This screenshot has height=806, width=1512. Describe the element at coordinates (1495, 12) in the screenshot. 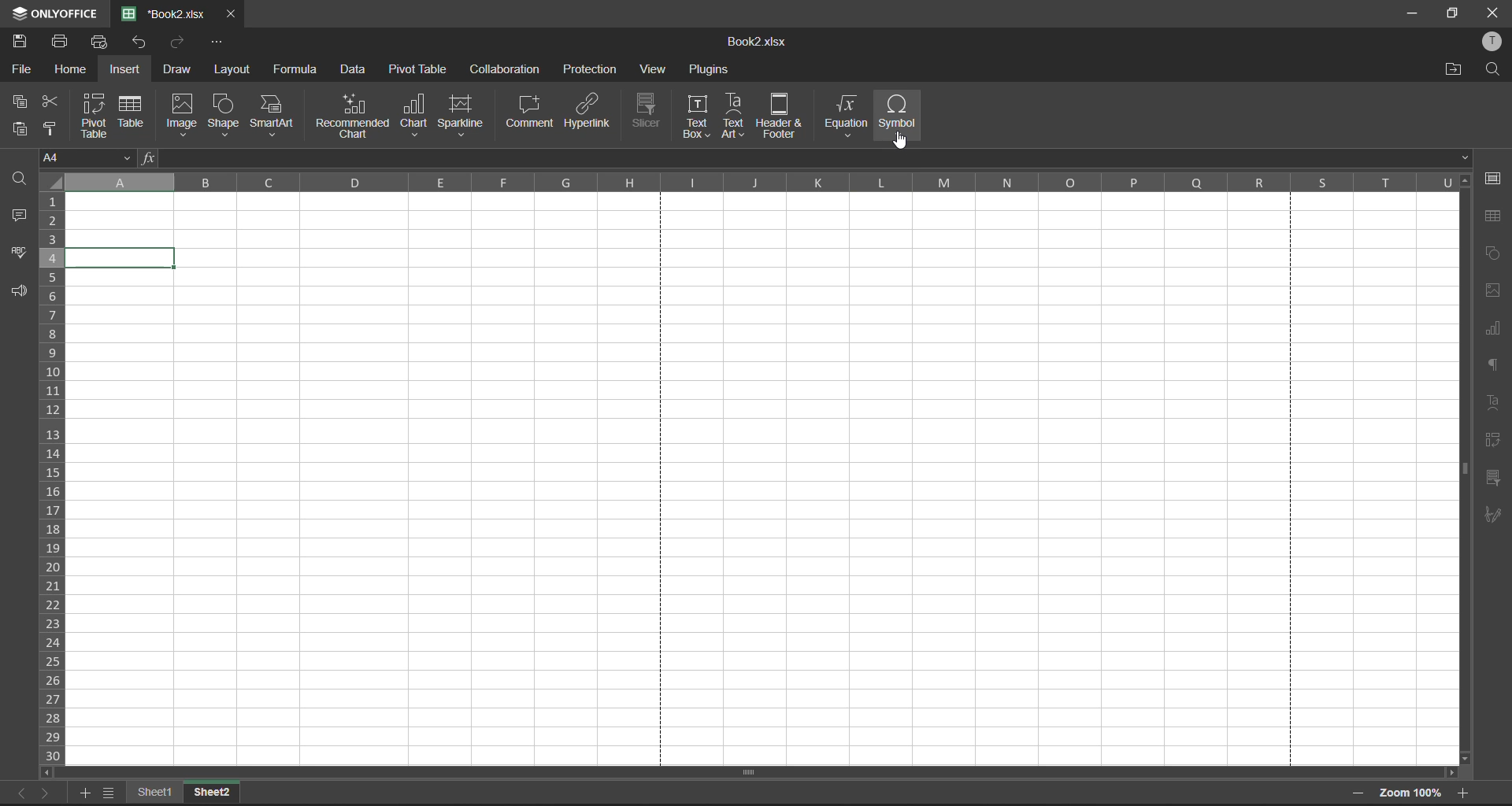

I see `close` at that location.